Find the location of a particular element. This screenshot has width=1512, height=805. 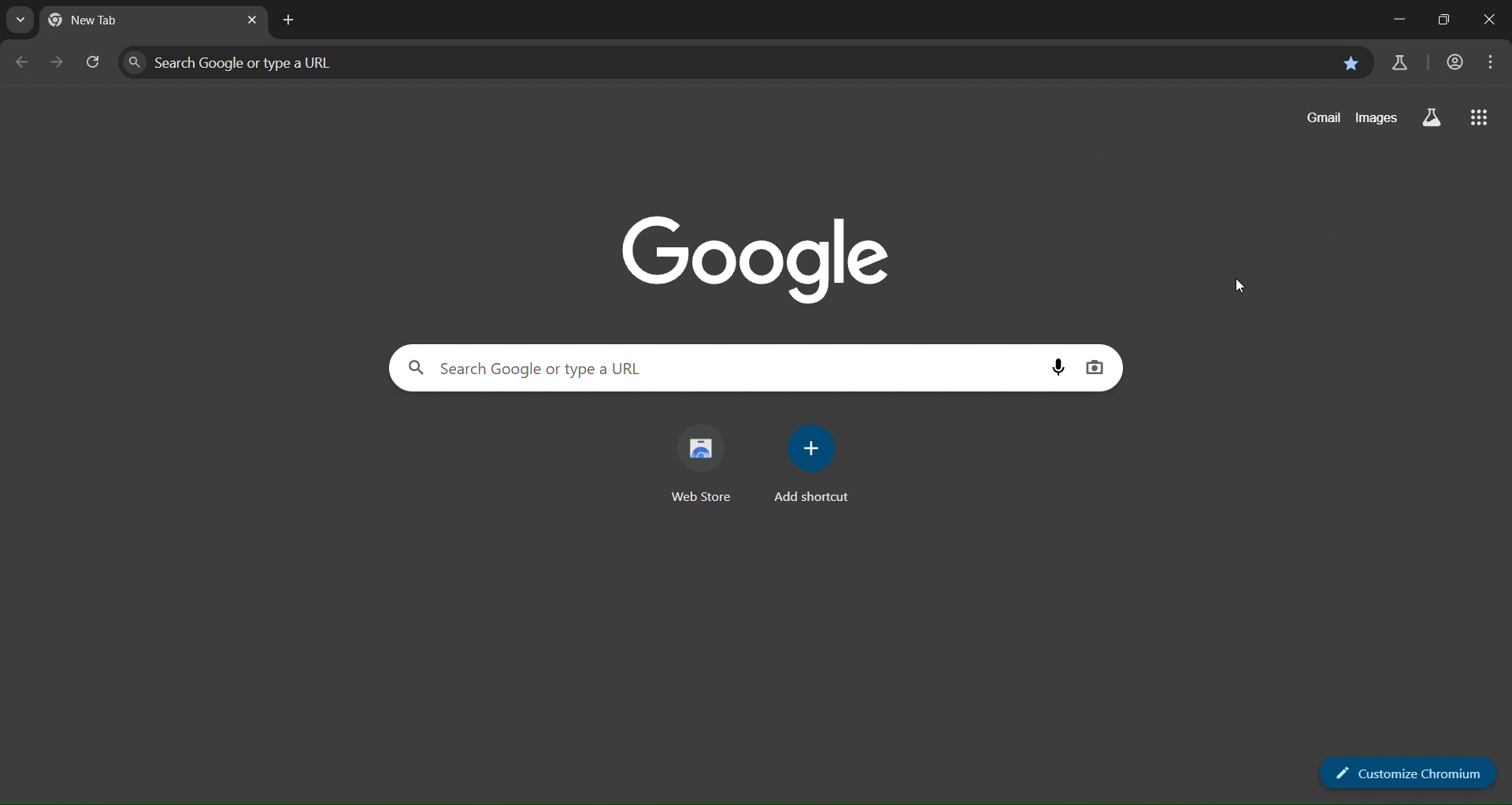

cursor is located at coordinates (1238, 288).